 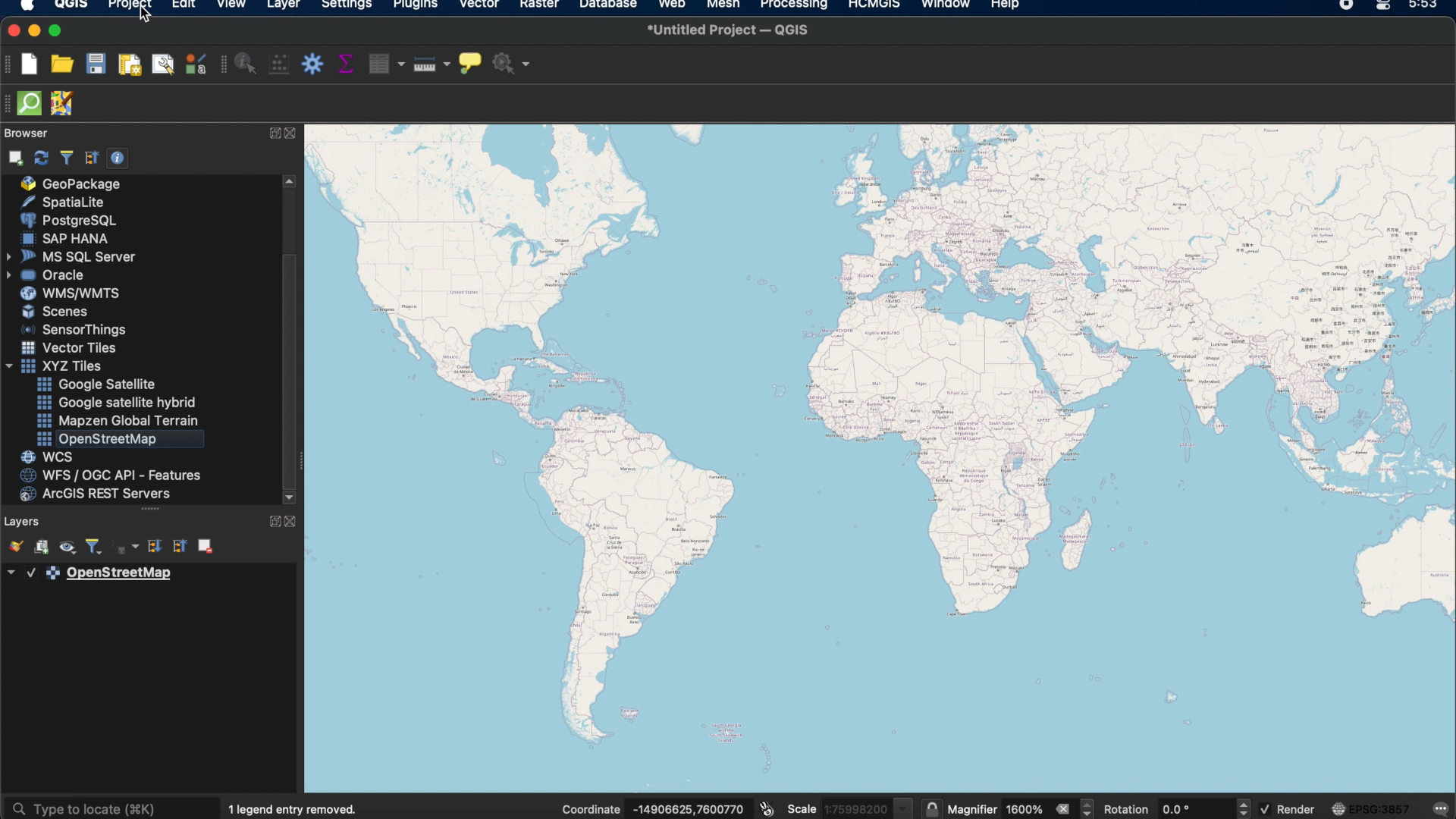 What do you see at coordinates (119, 421) in the screenshot?
I see `mapzen global terrain` at bounding box center [119, 421].